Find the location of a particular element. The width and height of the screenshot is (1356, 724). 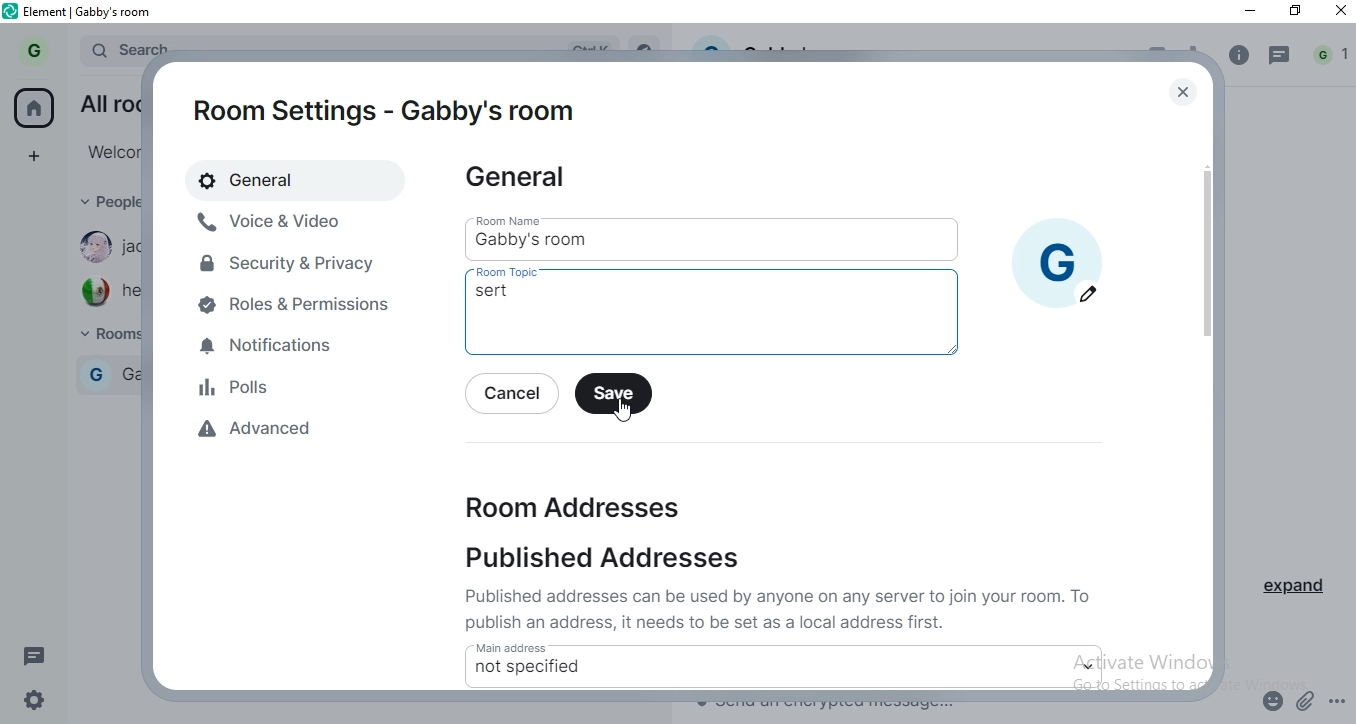

scroll bar is located at coordinates (1206, 284).